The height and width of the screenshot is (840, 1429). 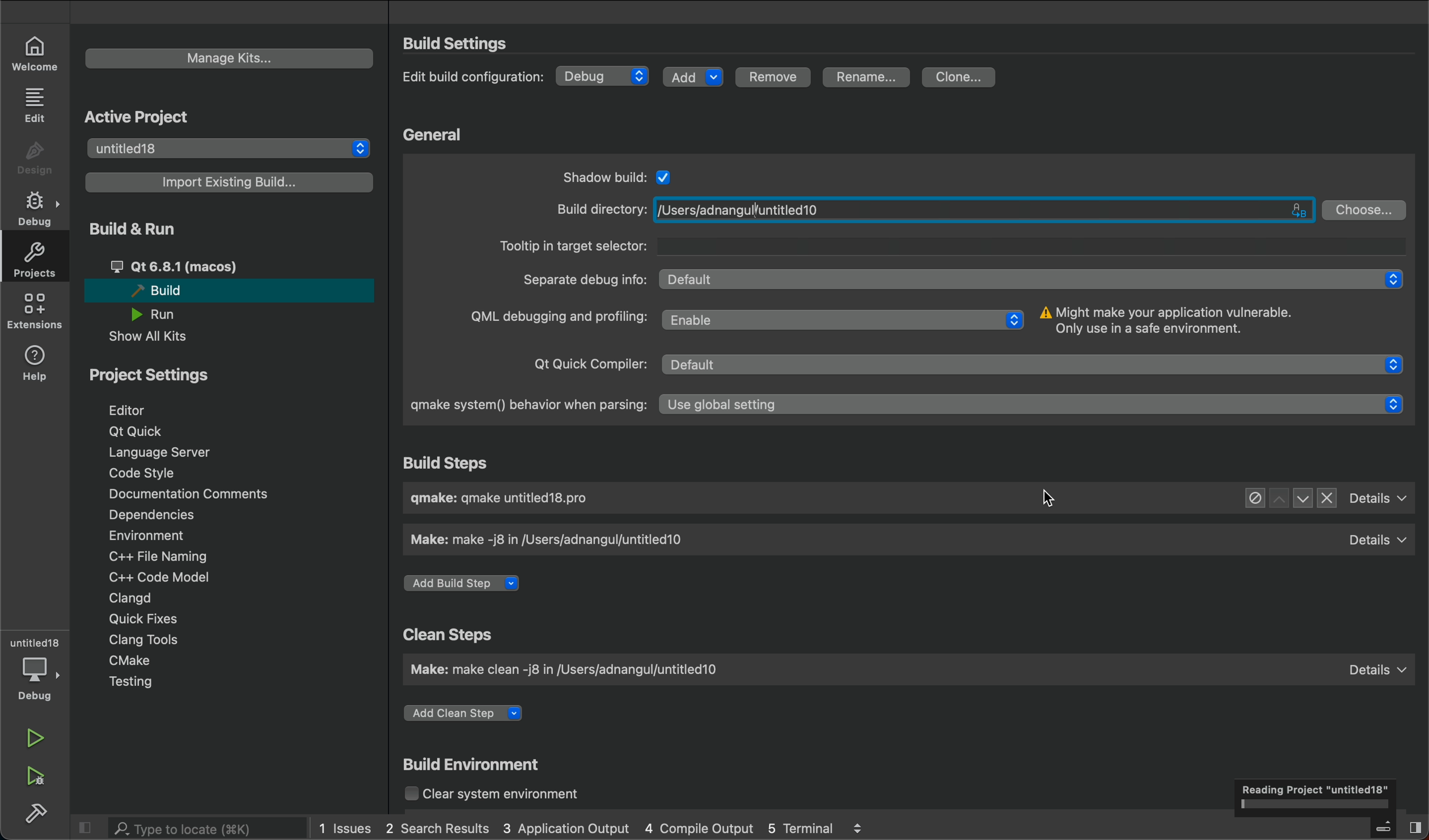 What do you see at coordinates (463, 463) in the screenshot?
I see `build steps` at bounding box center [463, 463].